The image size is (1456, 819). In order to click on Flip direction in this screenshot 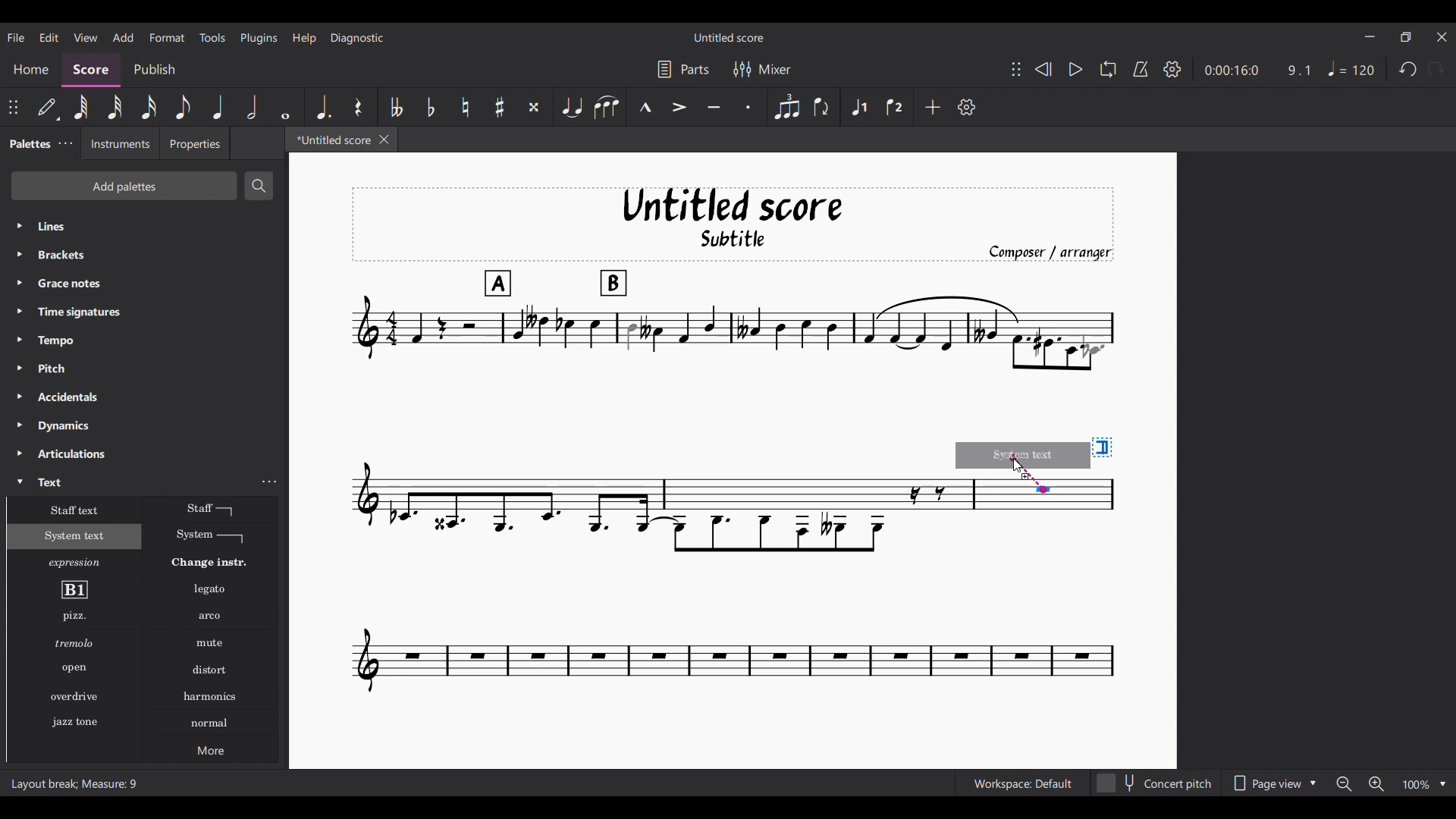, I will do `click(822, 106)`.